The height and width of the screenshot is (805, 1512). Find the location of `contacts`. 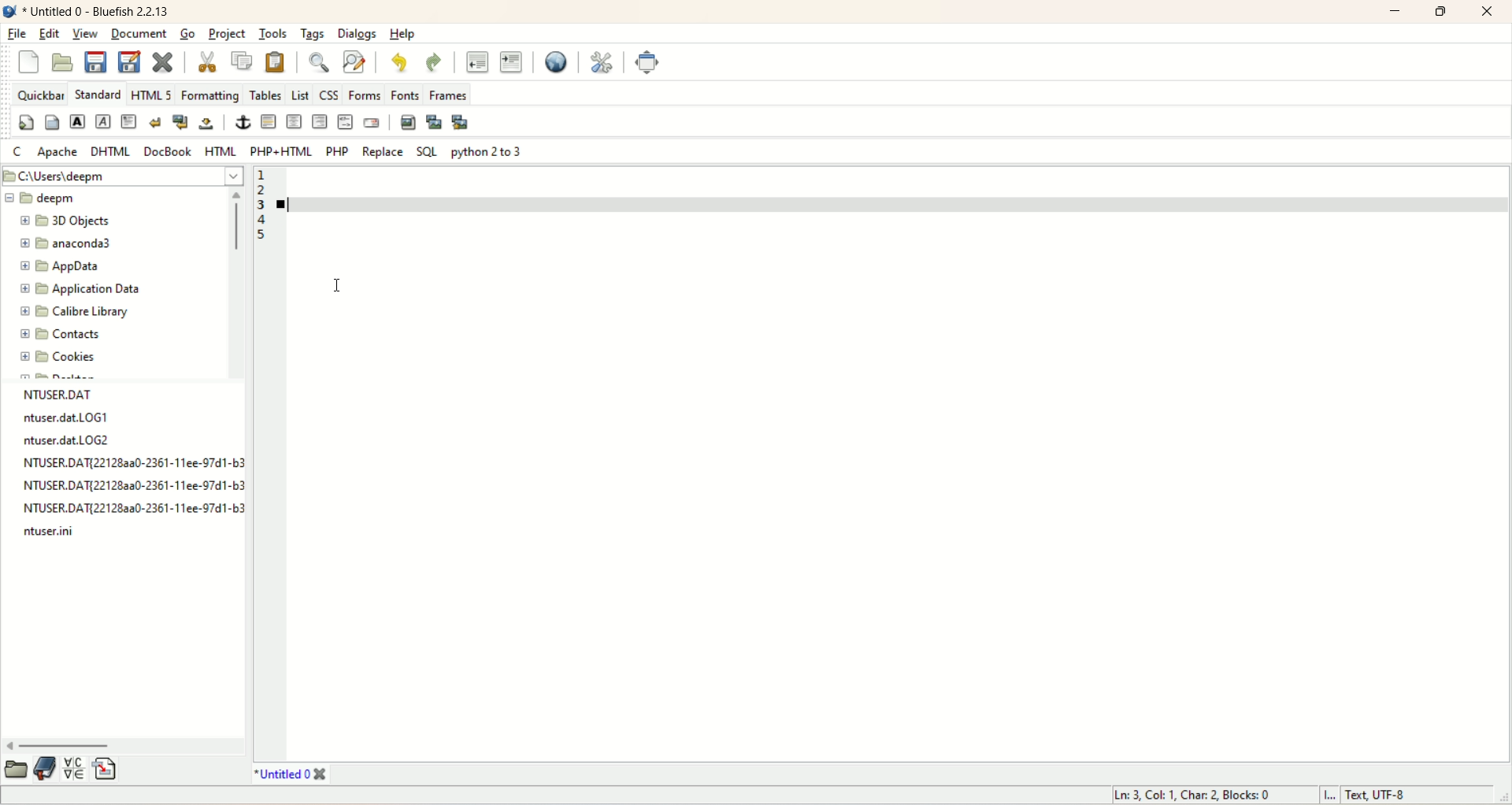

contacts is located at coordinates (61, 335).